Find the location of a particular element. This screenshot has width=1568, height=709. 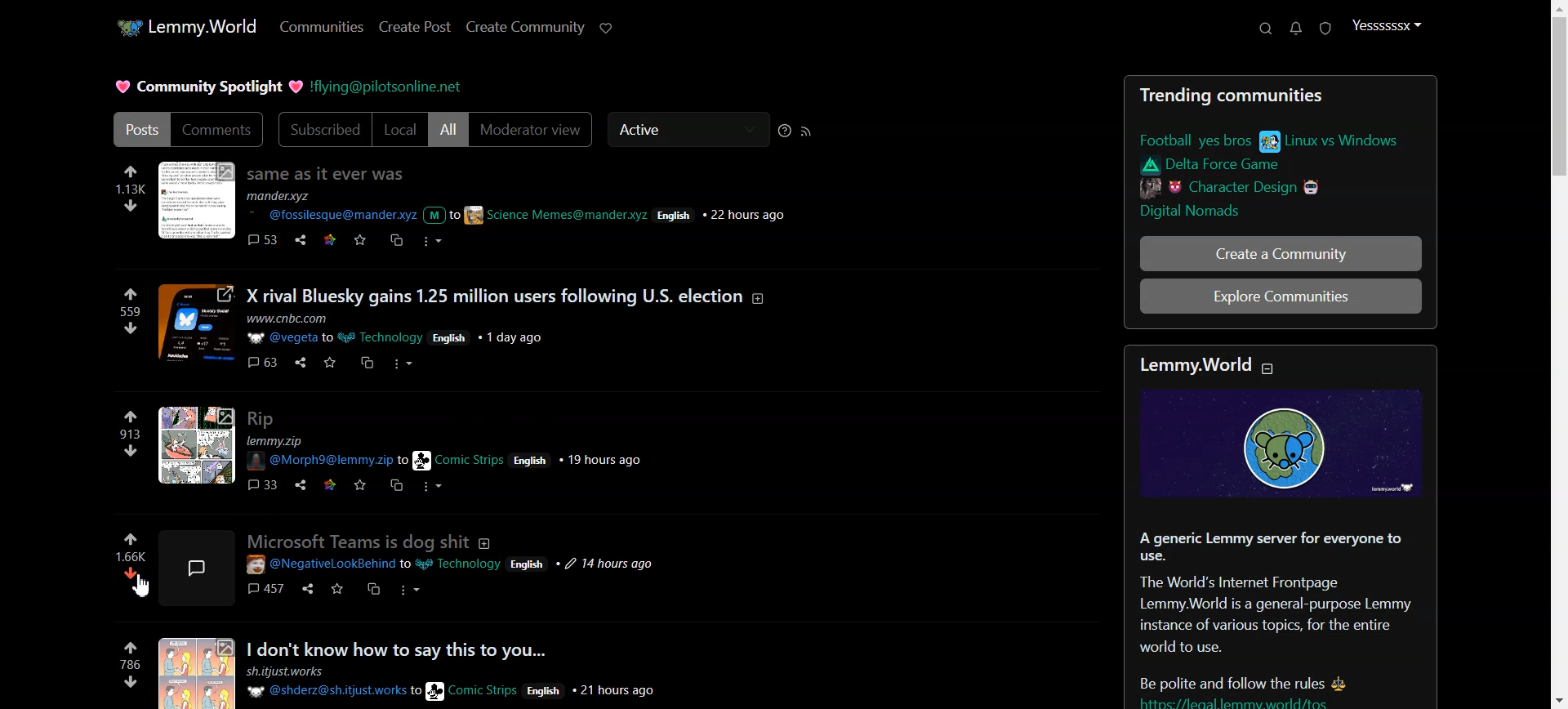

Hyperlink is located at coordinates (385, 87).